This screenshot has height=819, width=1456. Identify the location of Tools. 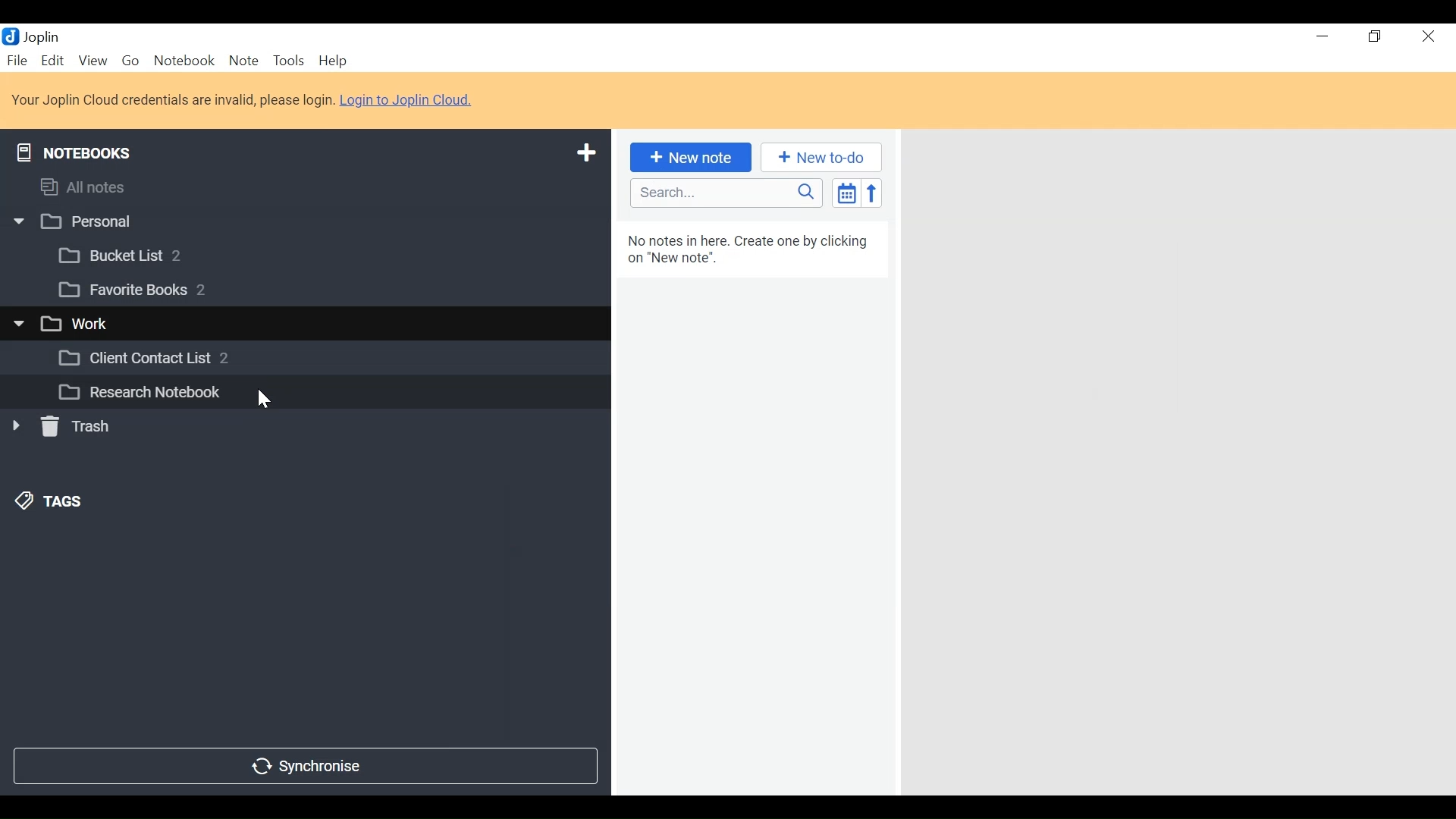
(287, 61).